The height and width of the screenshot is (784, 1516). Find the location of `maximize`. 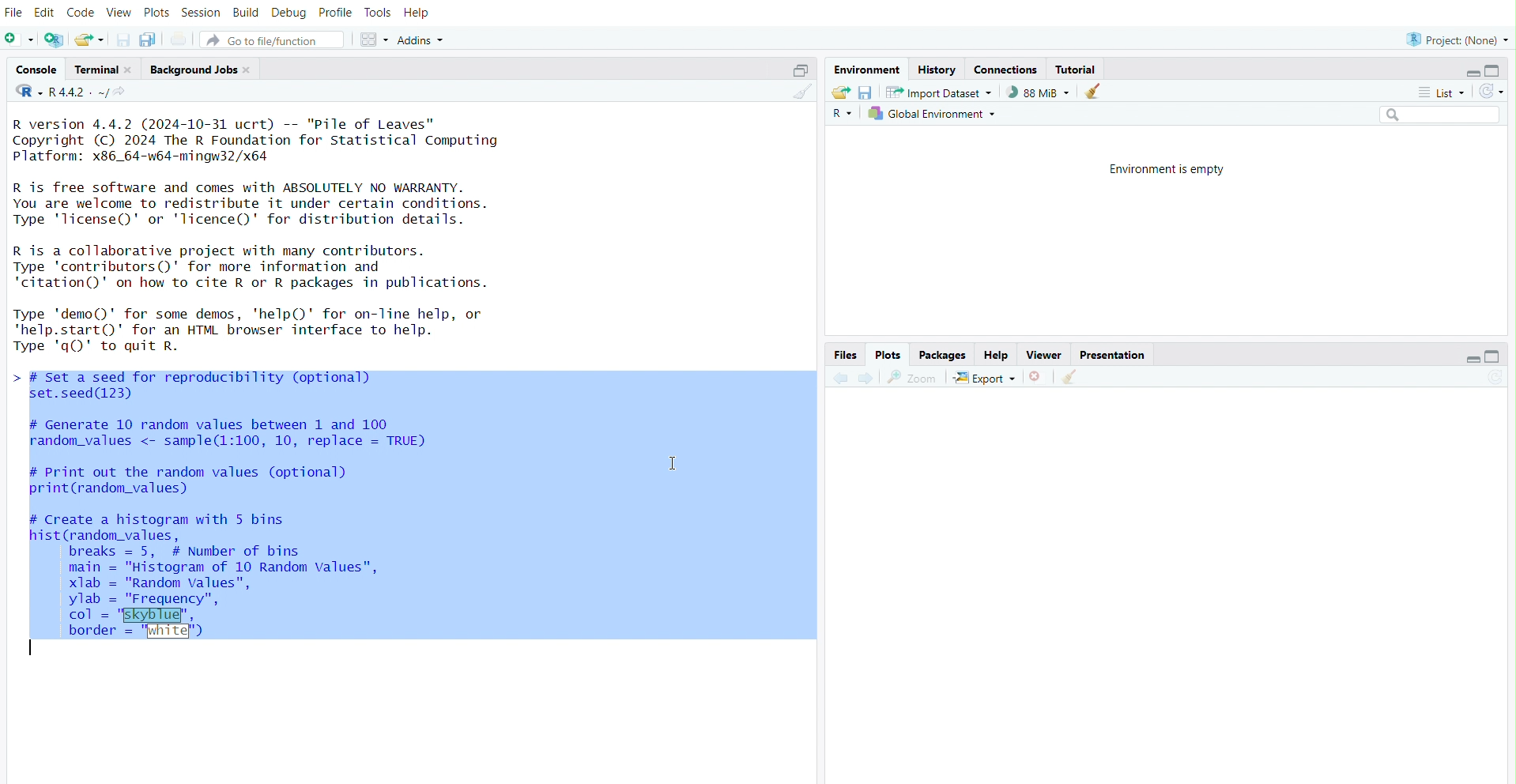

maximize is located at coordinates (1500, 69).